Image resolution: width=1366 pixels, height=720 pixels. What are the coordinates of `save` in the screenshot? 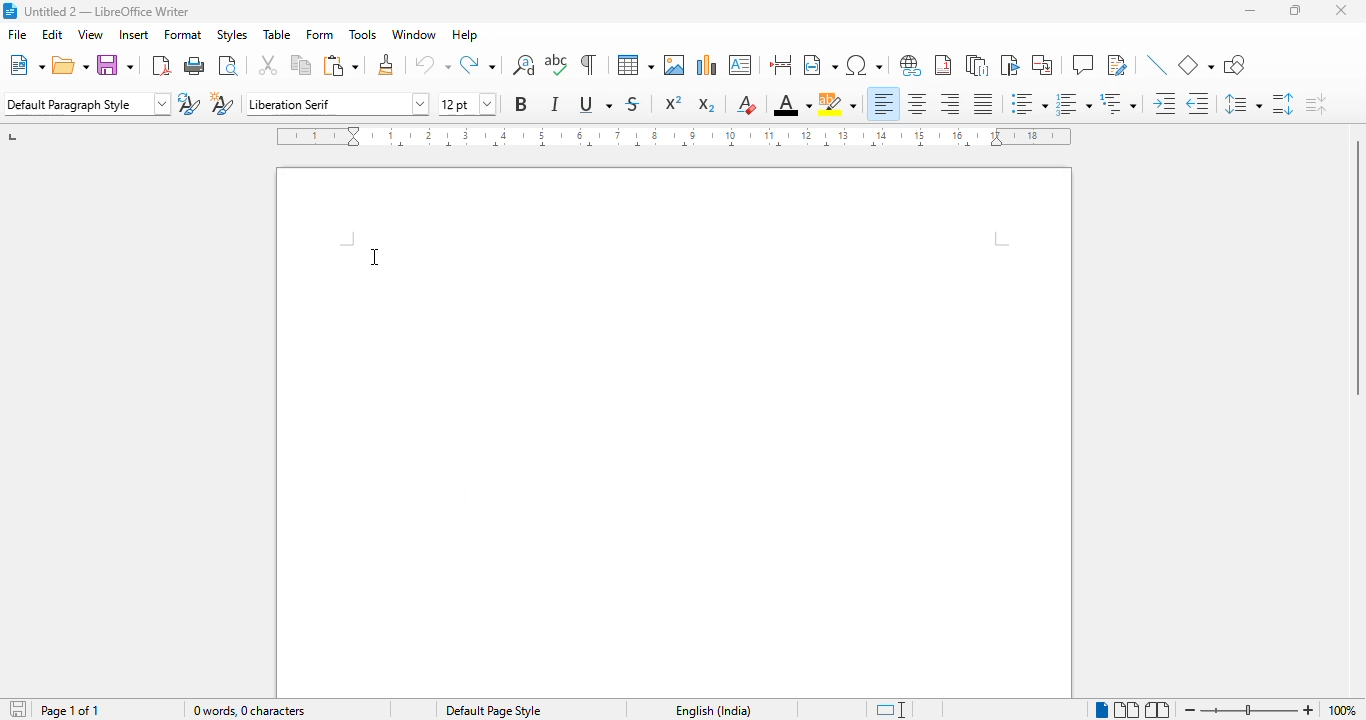 It's located at (116, 64).